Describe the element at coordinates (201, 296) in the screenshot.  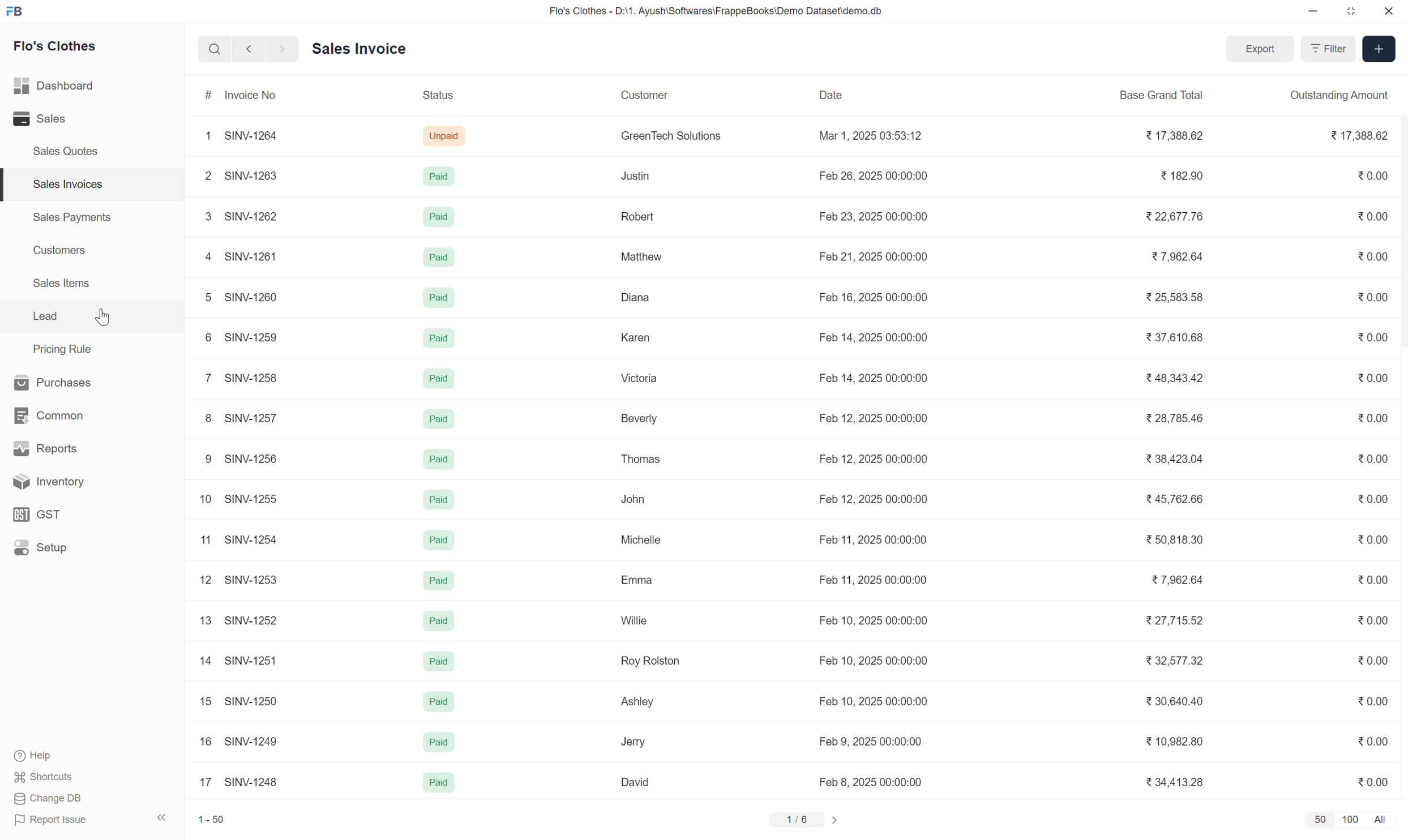
I see `5` at that location.